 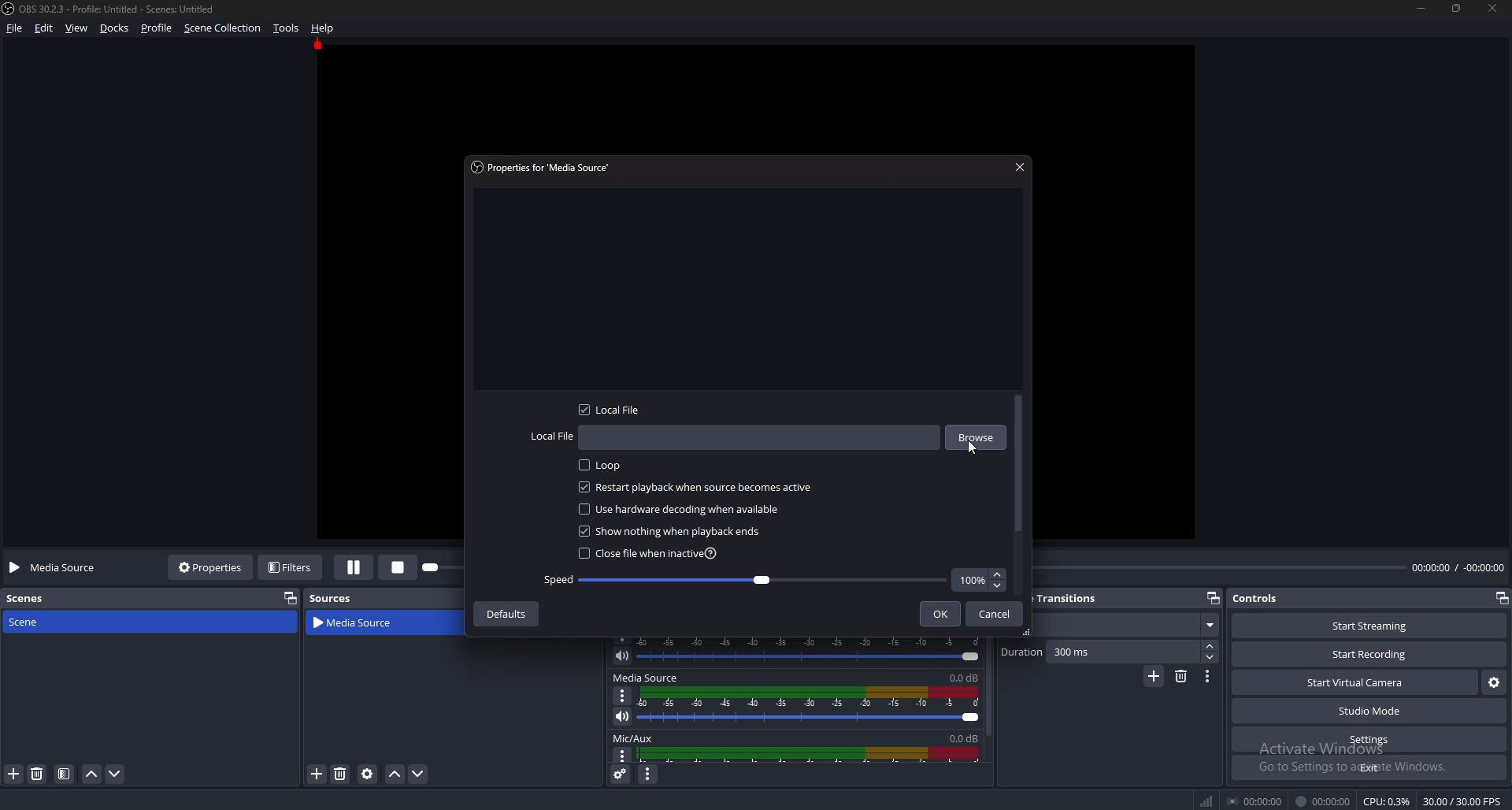 What do you see at coordinates (65, 775) in the screenshot?
I see `Filter` at bounding box center [65, 775].